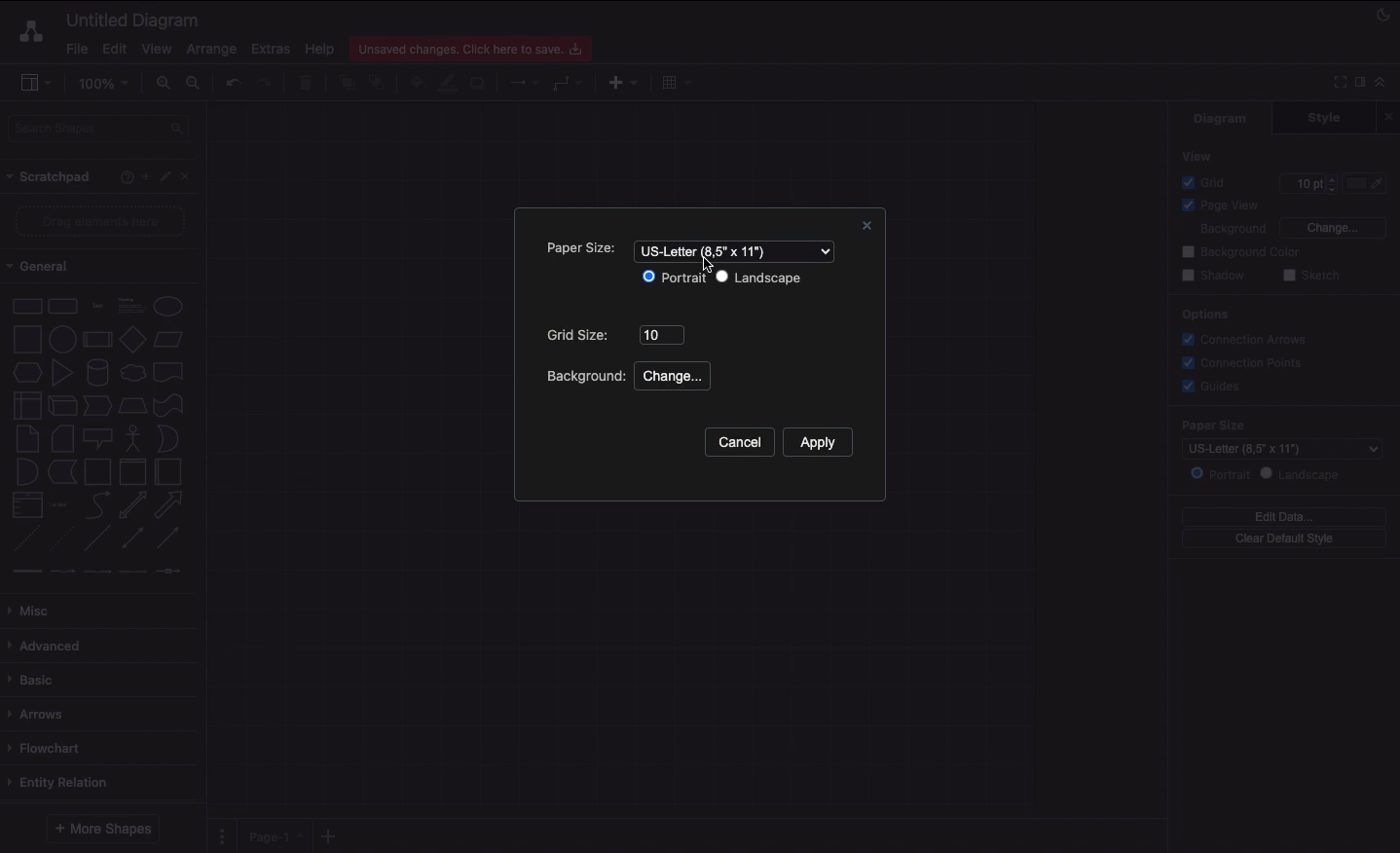 This screenshot has width=1400, height=853. I want to click on Cloud, so click(131, 373).